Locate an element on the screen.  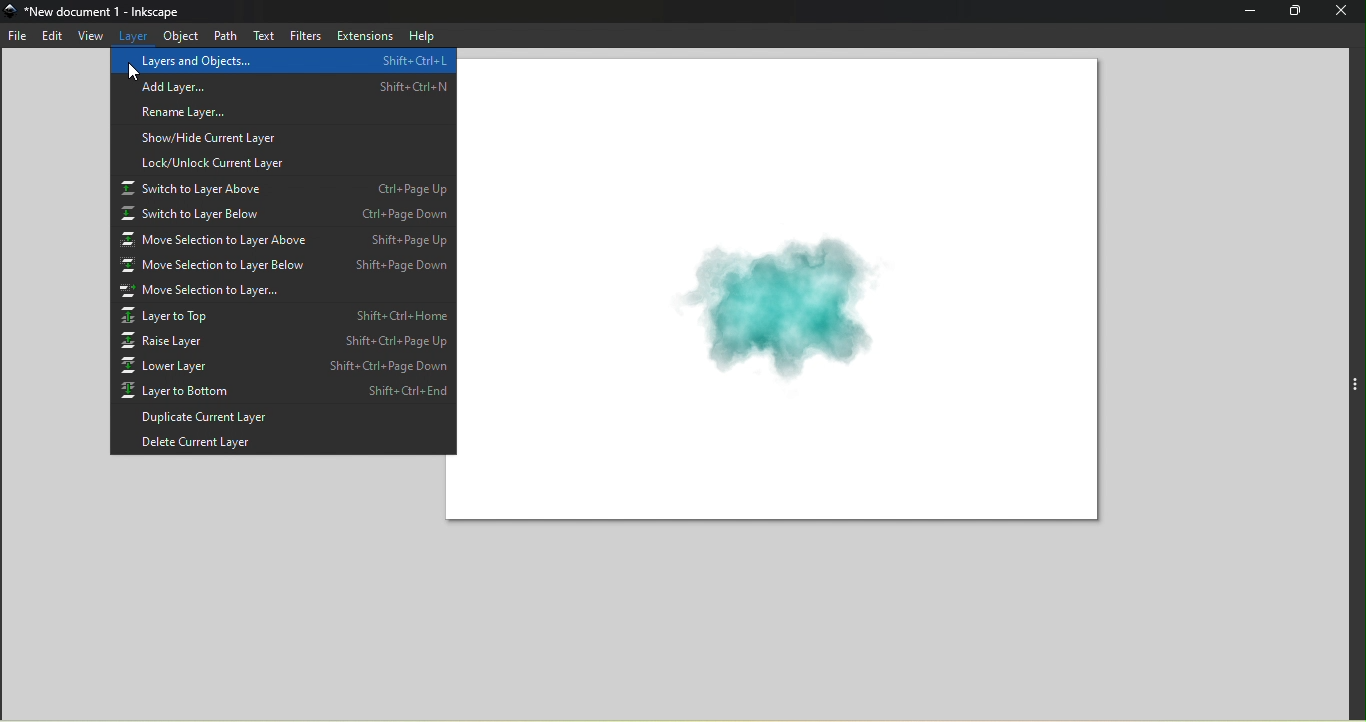
 *New document 1 - Inkscape is located at coordinates (105, 11).